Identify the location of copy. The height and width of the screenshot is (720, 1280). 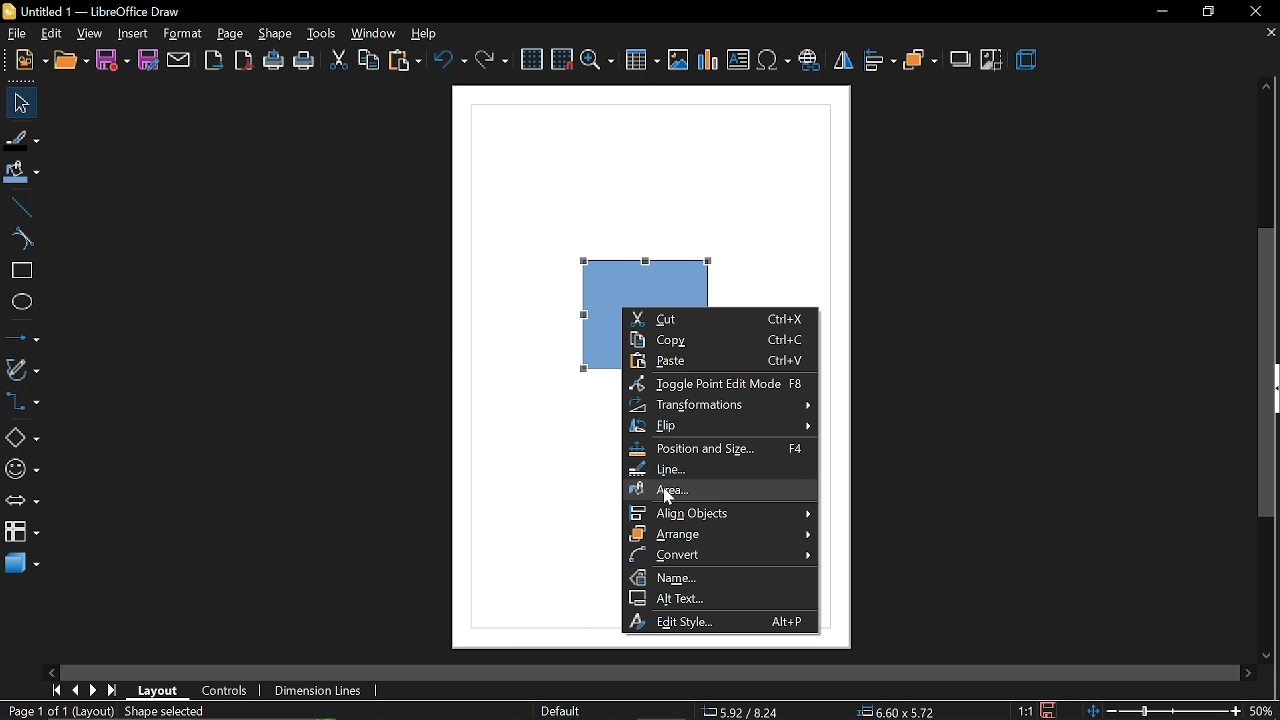
(370, 61).